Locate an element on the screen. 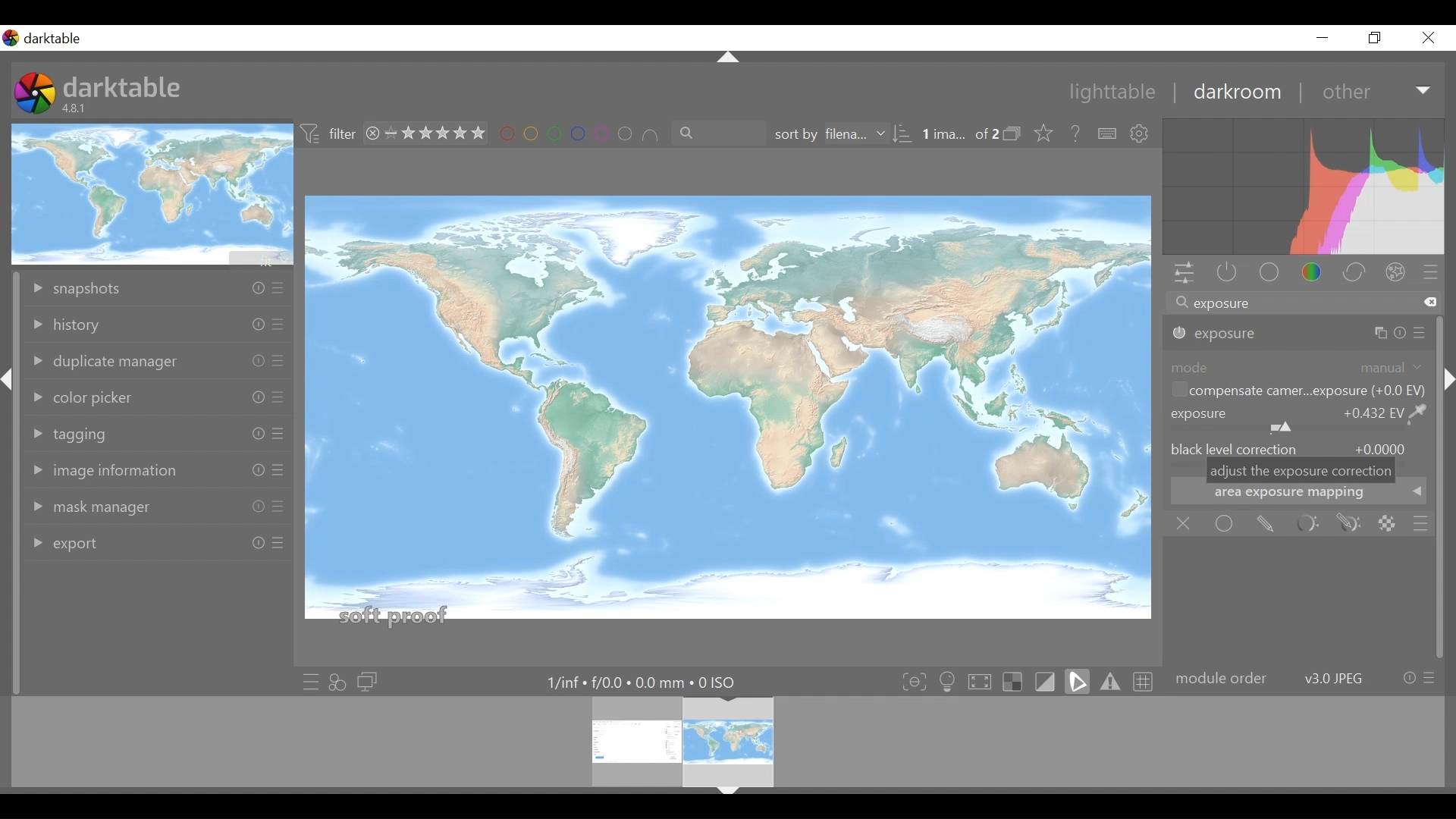 This screenshot has height=819, width=1456. sort by is located at coordinates (838, 135).